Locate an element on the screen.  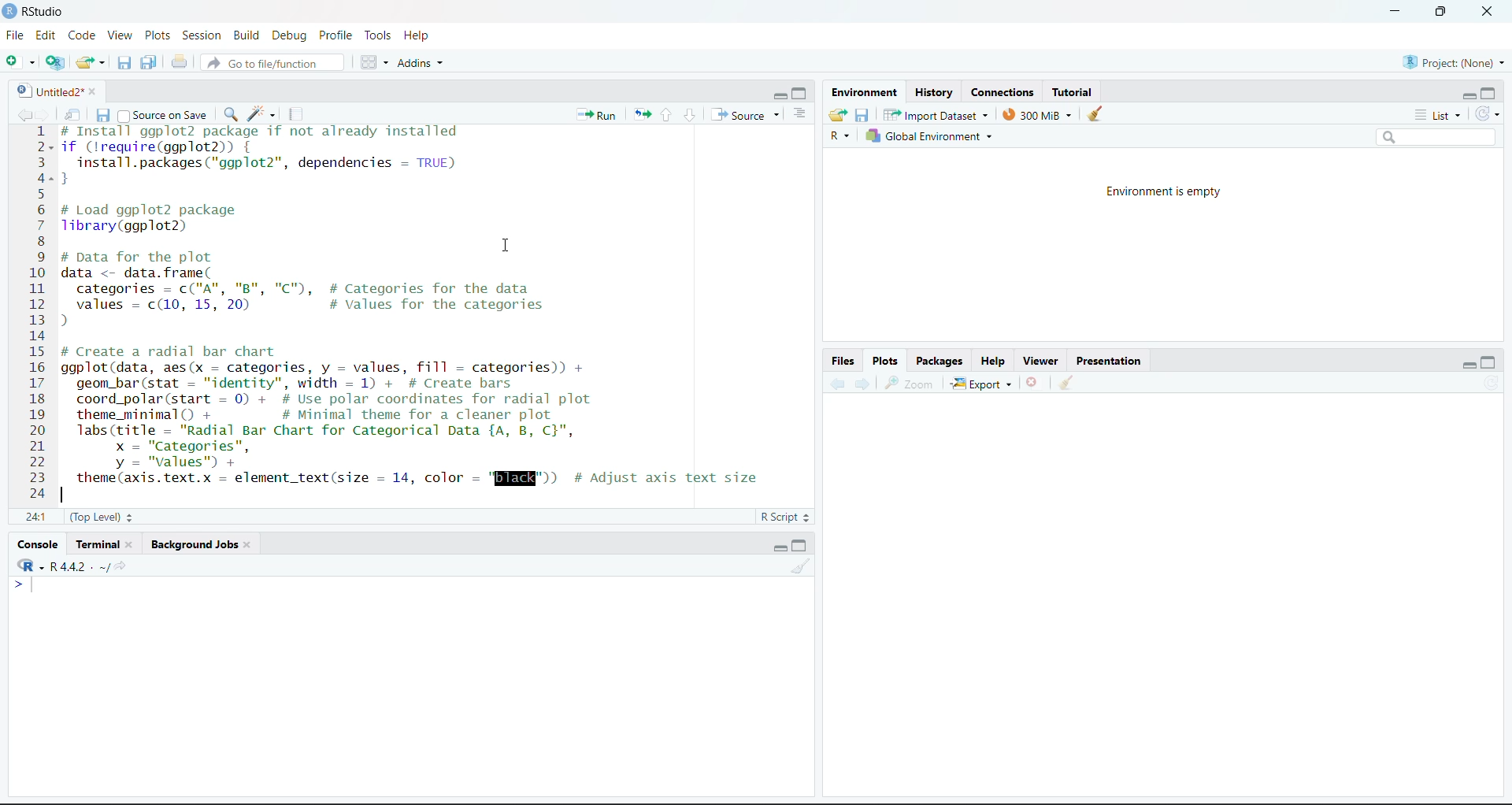
Code is located at coordinates (81, 37).